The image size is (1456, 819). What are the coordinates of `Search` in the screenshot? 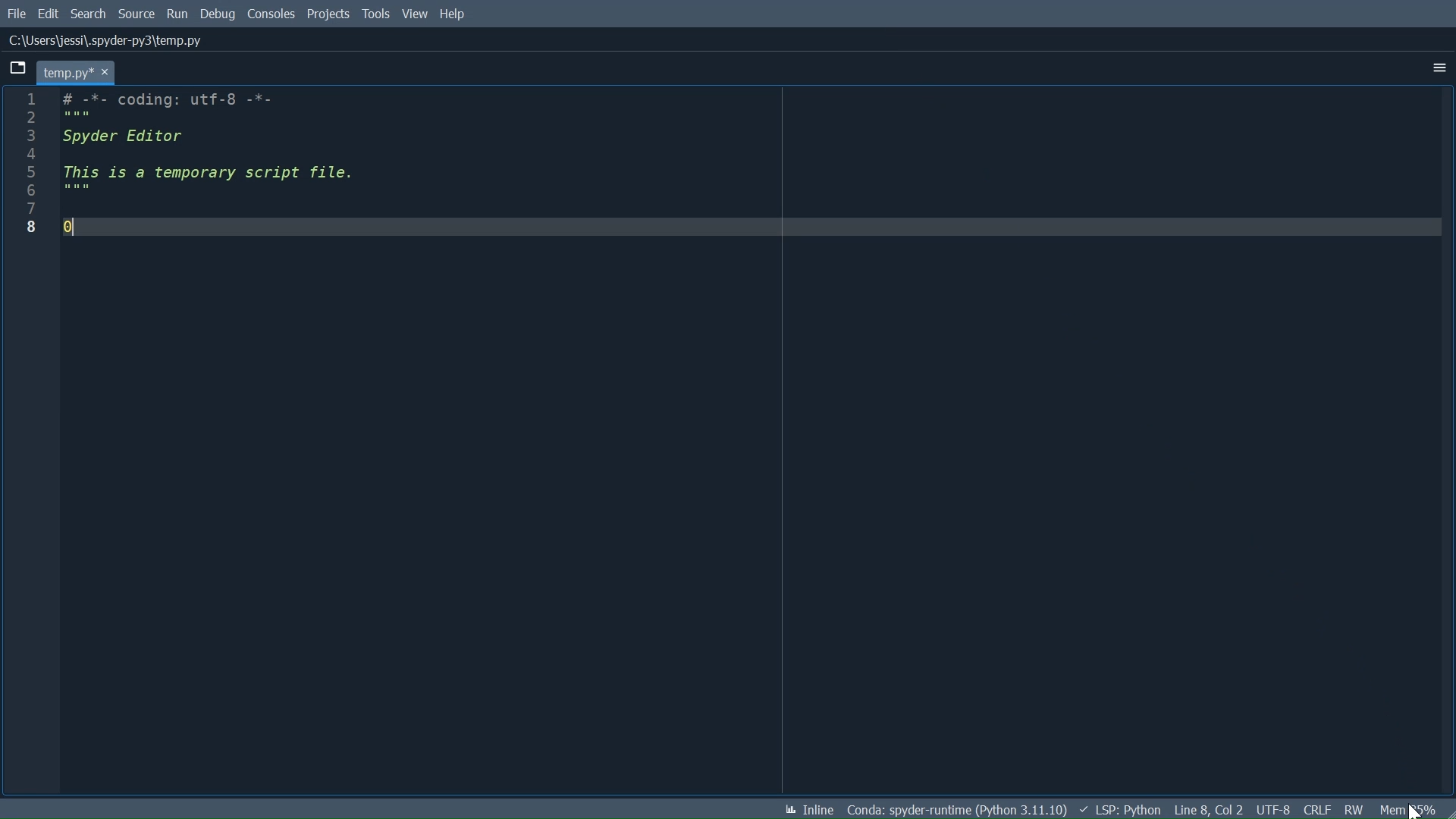 It's located at (89, 14).